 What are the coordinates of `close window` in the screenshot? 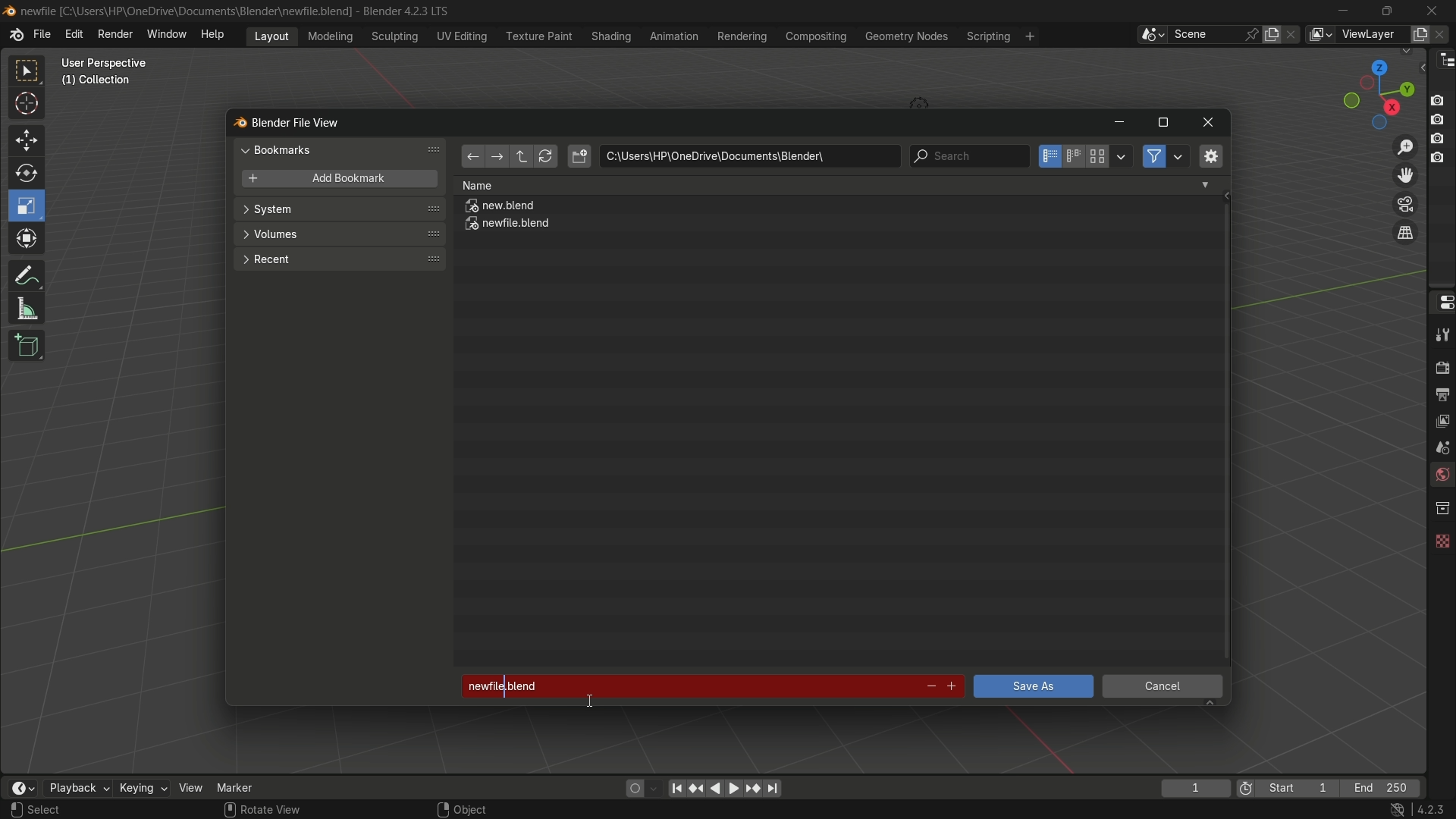 It's located at (1209, 123).